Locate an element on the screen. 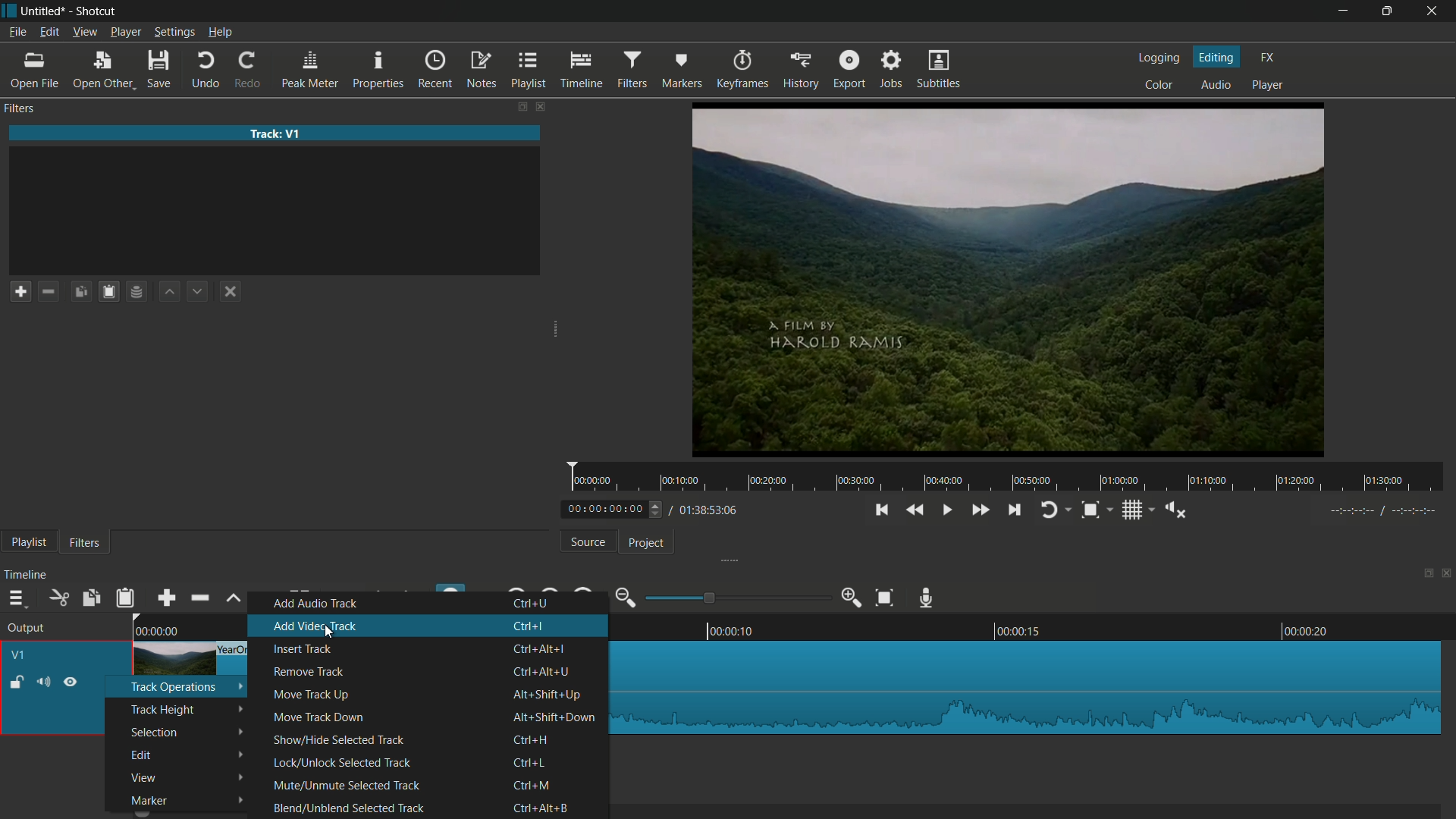 The height and width of the screenshot is (819, 1456). close filters is located at coordinates (543, 106).